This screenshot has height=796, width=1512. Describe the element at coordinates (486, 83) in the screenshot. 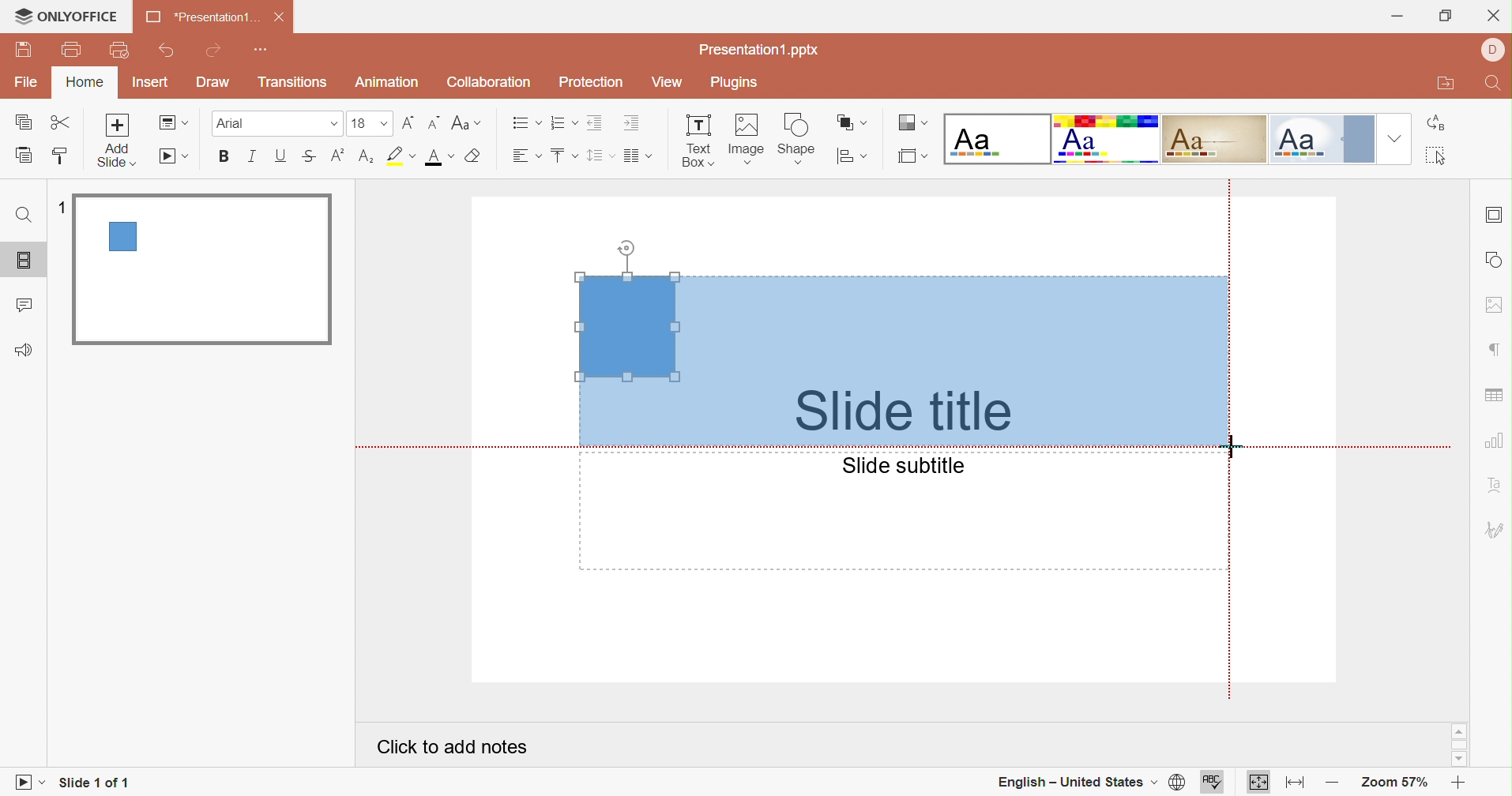

I see `Collaboration` at that location.